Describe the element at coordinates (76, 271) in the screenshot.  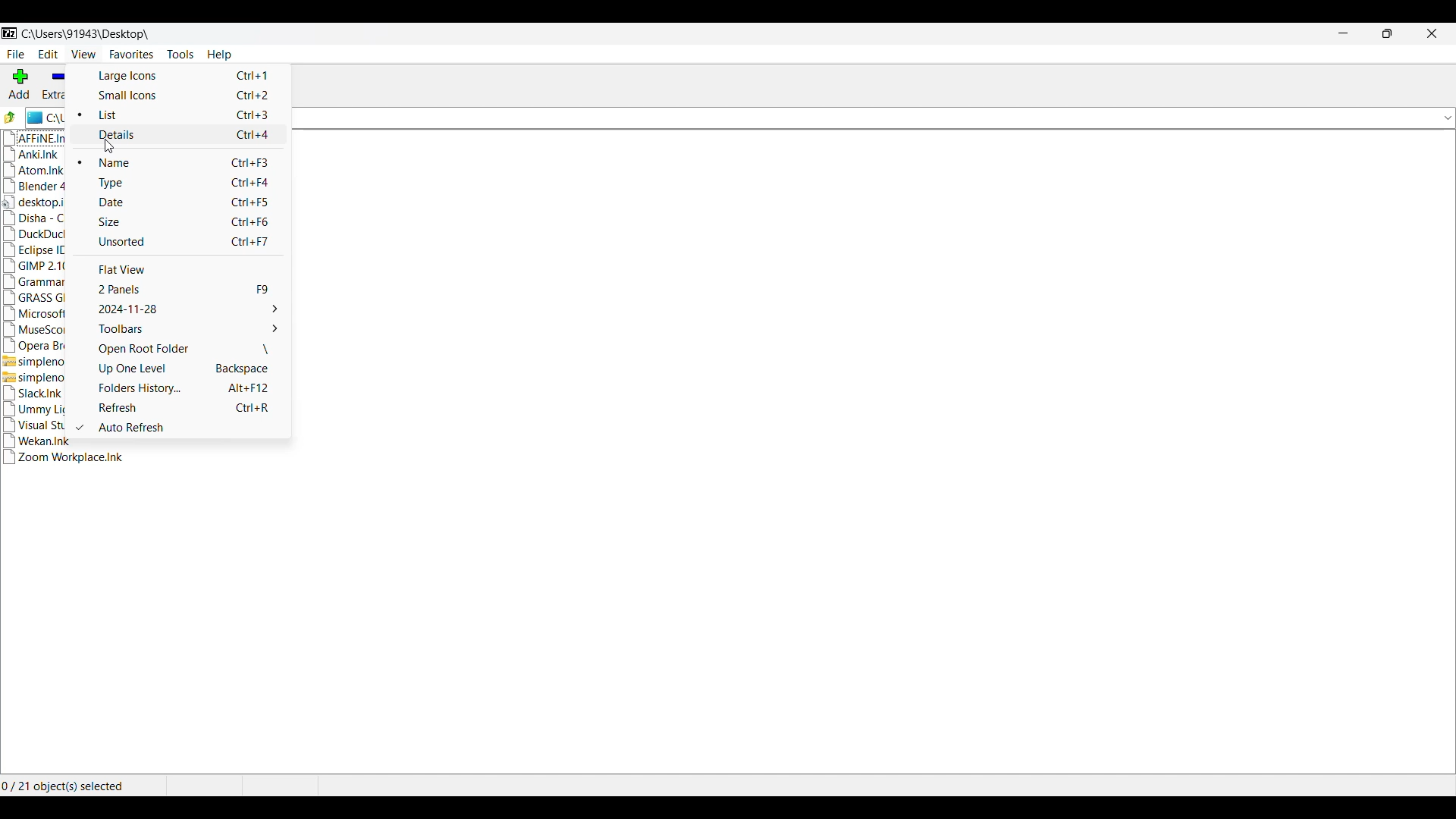
I see `Dots and checkmarks indicate current selections` at that location.